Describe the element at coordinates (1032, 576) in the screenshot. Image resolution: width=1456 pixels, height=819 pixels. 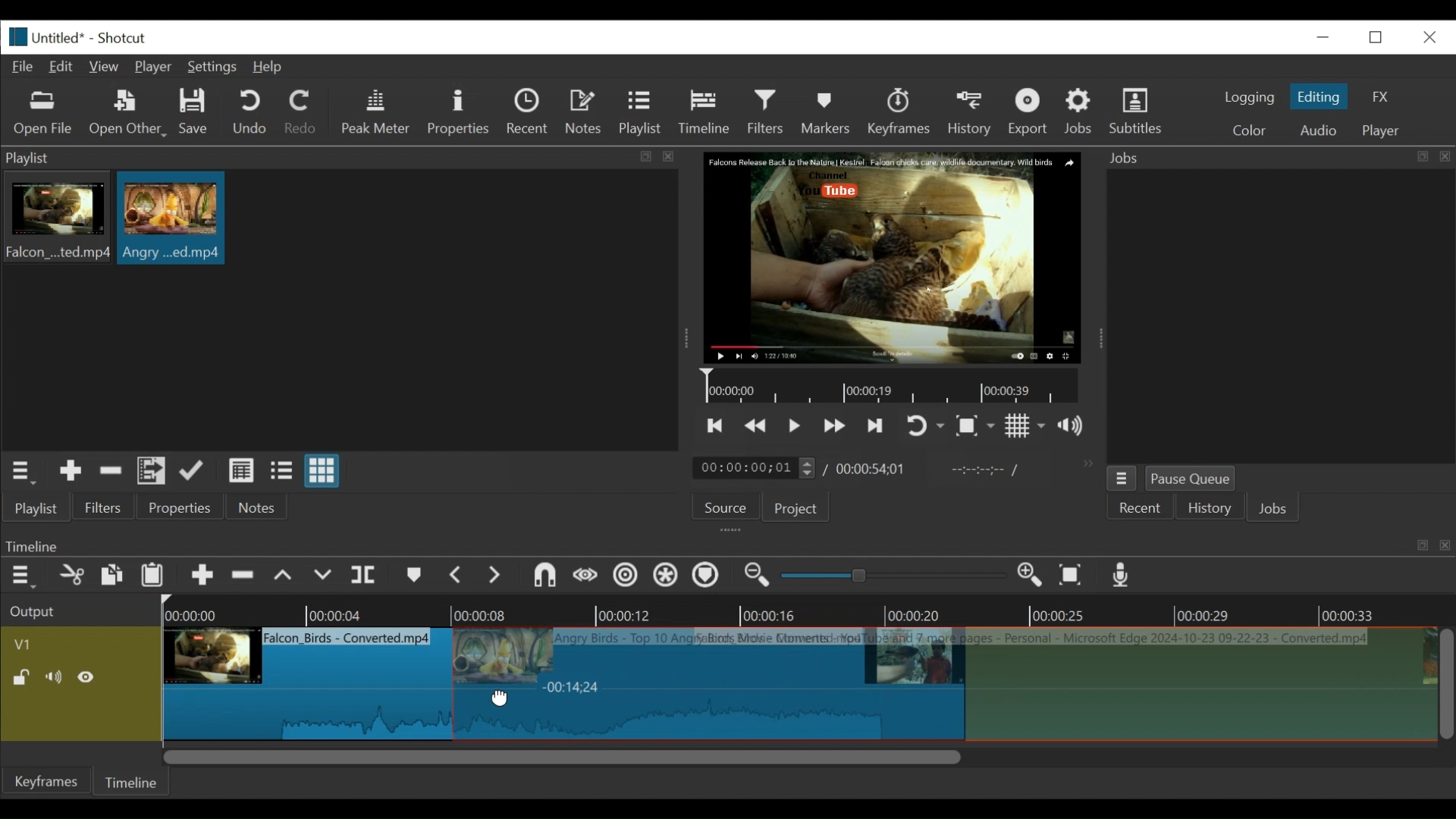
I see `Zoom in` at that location.